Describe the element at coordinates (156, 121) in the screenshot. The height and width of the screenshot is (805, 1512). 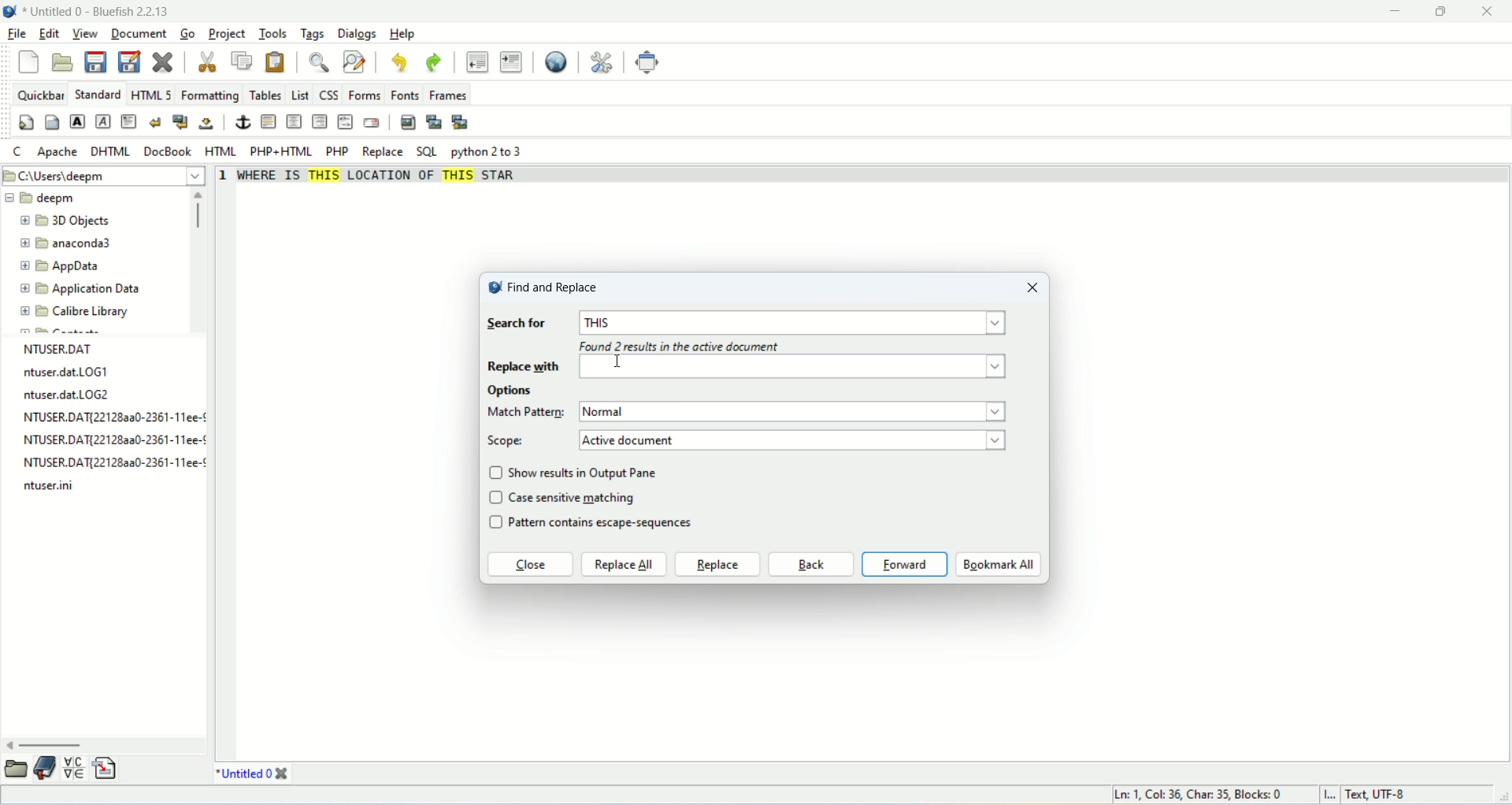
I see `break` at that location.